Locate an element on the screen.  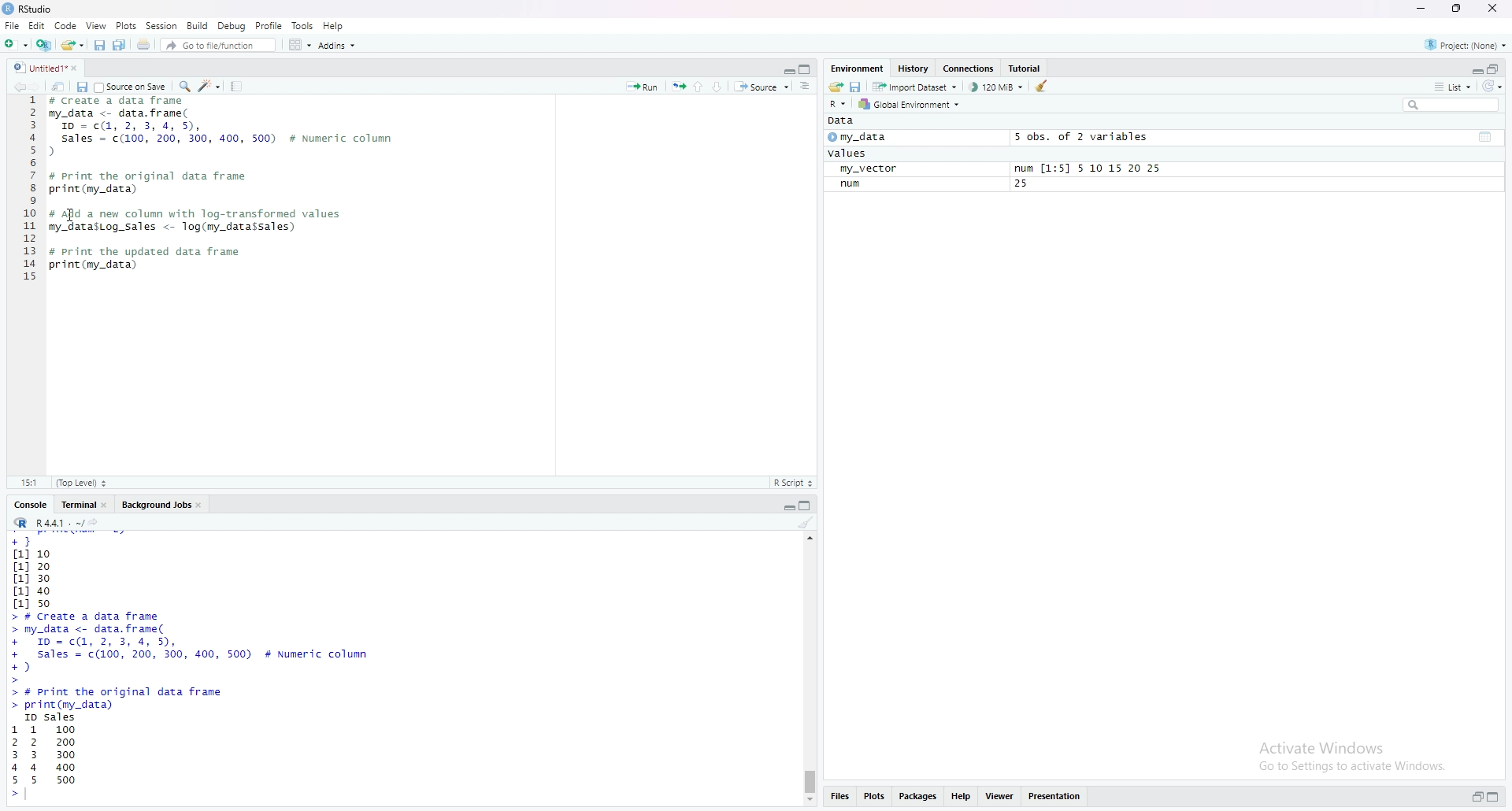
Connections is located at coordinates (968, 68).